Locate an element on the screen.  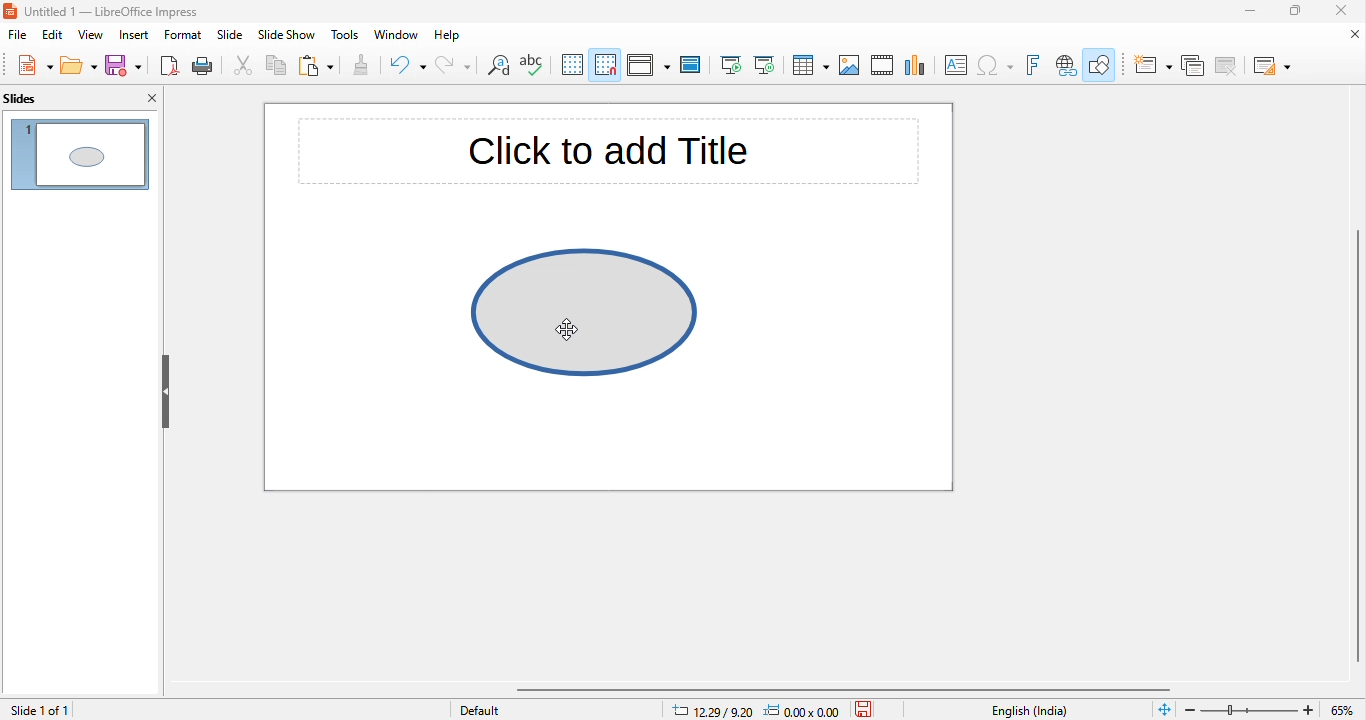
show draw function is located at coordinates (1101, 67).